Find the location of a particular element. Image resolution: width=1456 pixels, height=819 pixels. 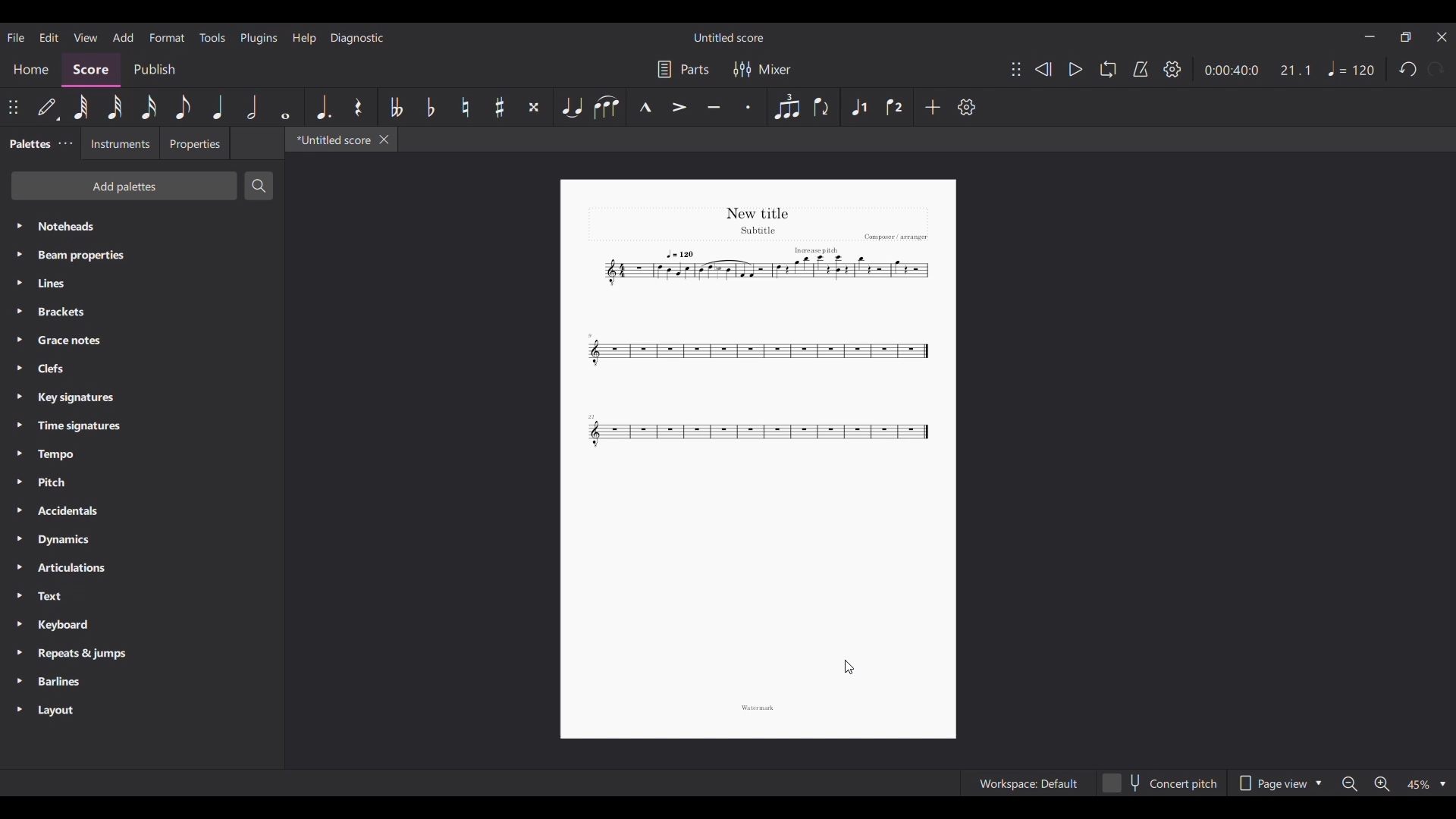

Toggle sharp is located at coordinates (500, 107).